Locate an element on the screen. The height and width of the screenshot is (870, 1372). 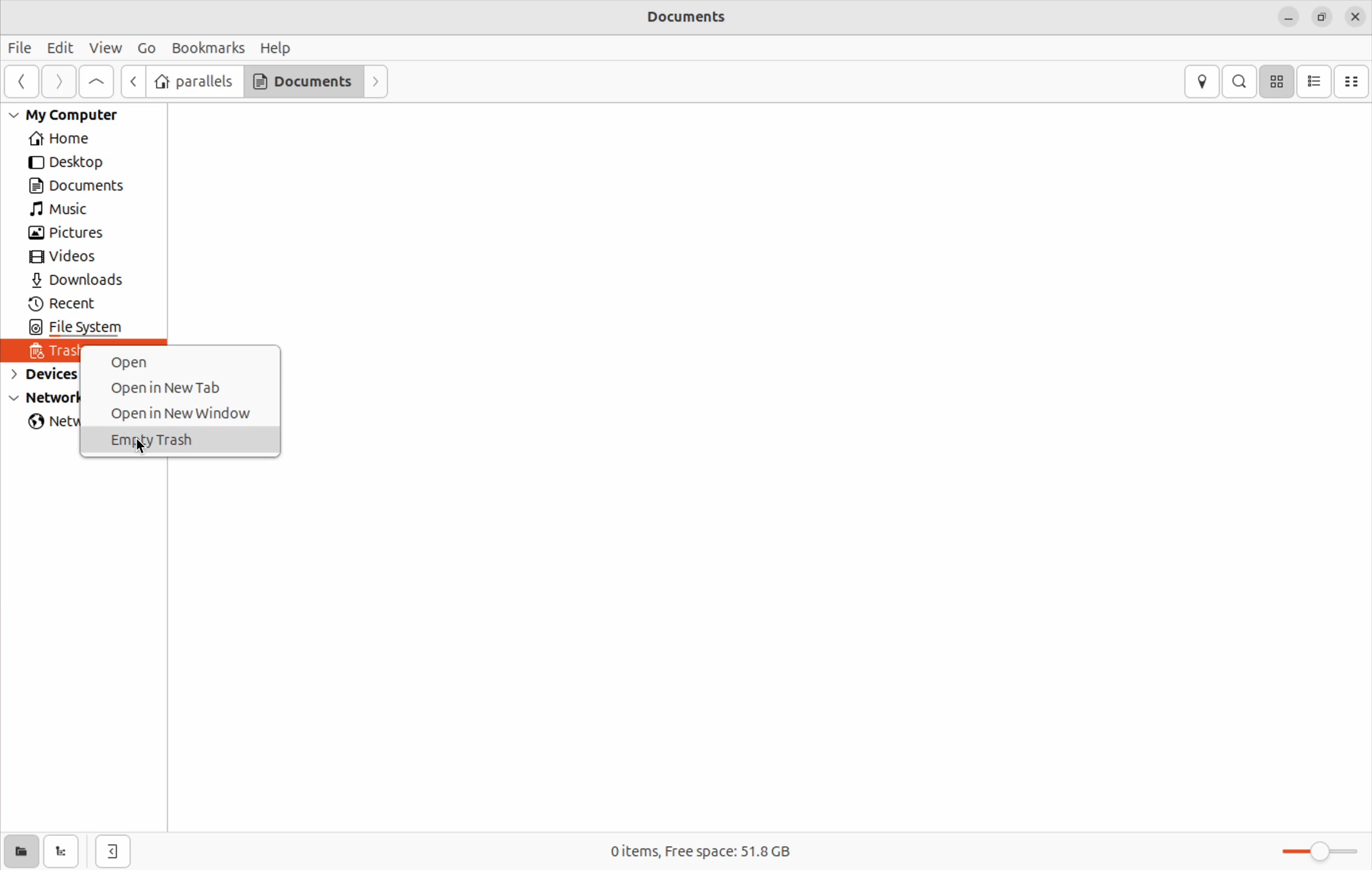
next is located at coordinates (132, 80).